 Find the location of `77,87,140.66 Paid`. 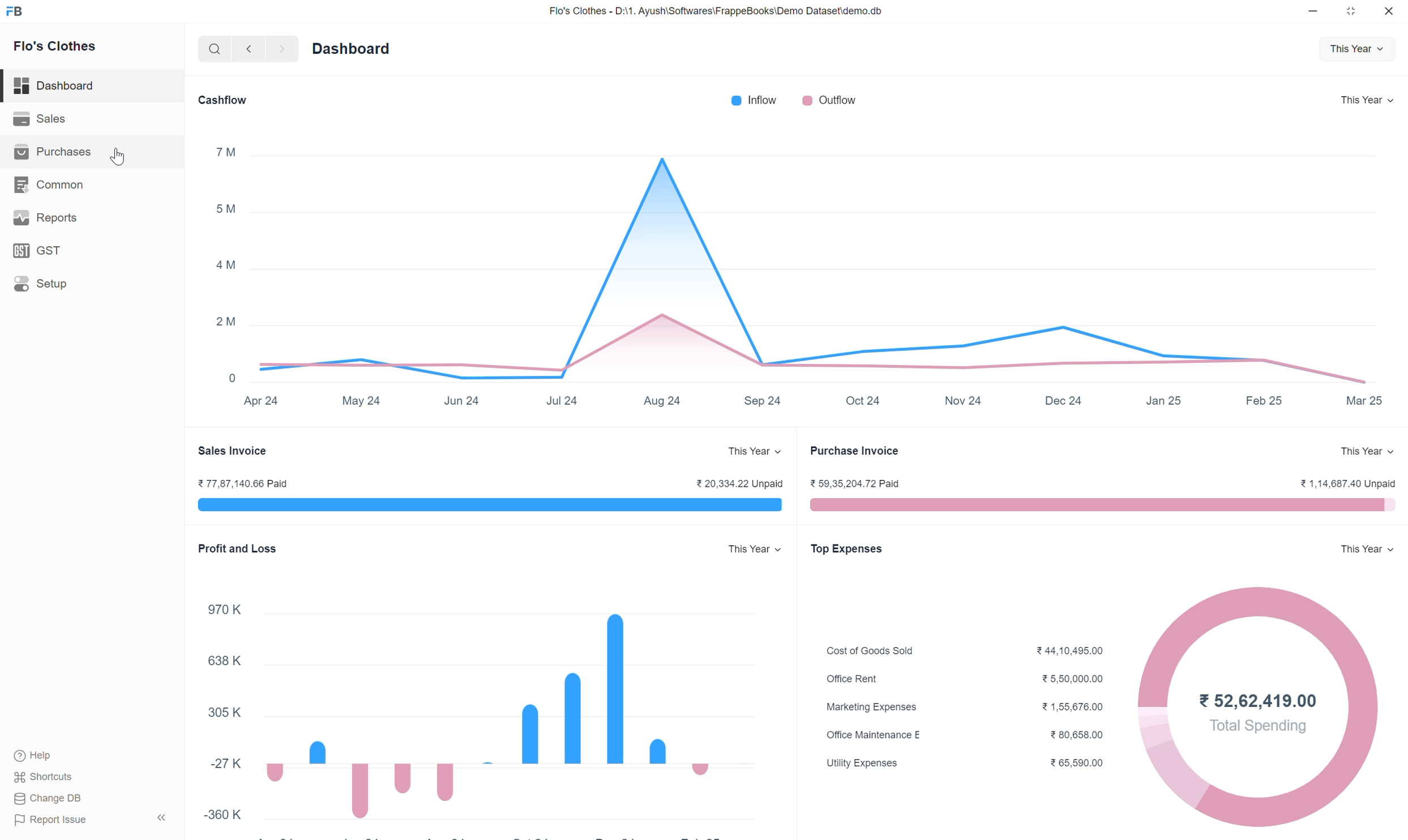

77,87,140.66 Paid is located at coordinates (243, 483).